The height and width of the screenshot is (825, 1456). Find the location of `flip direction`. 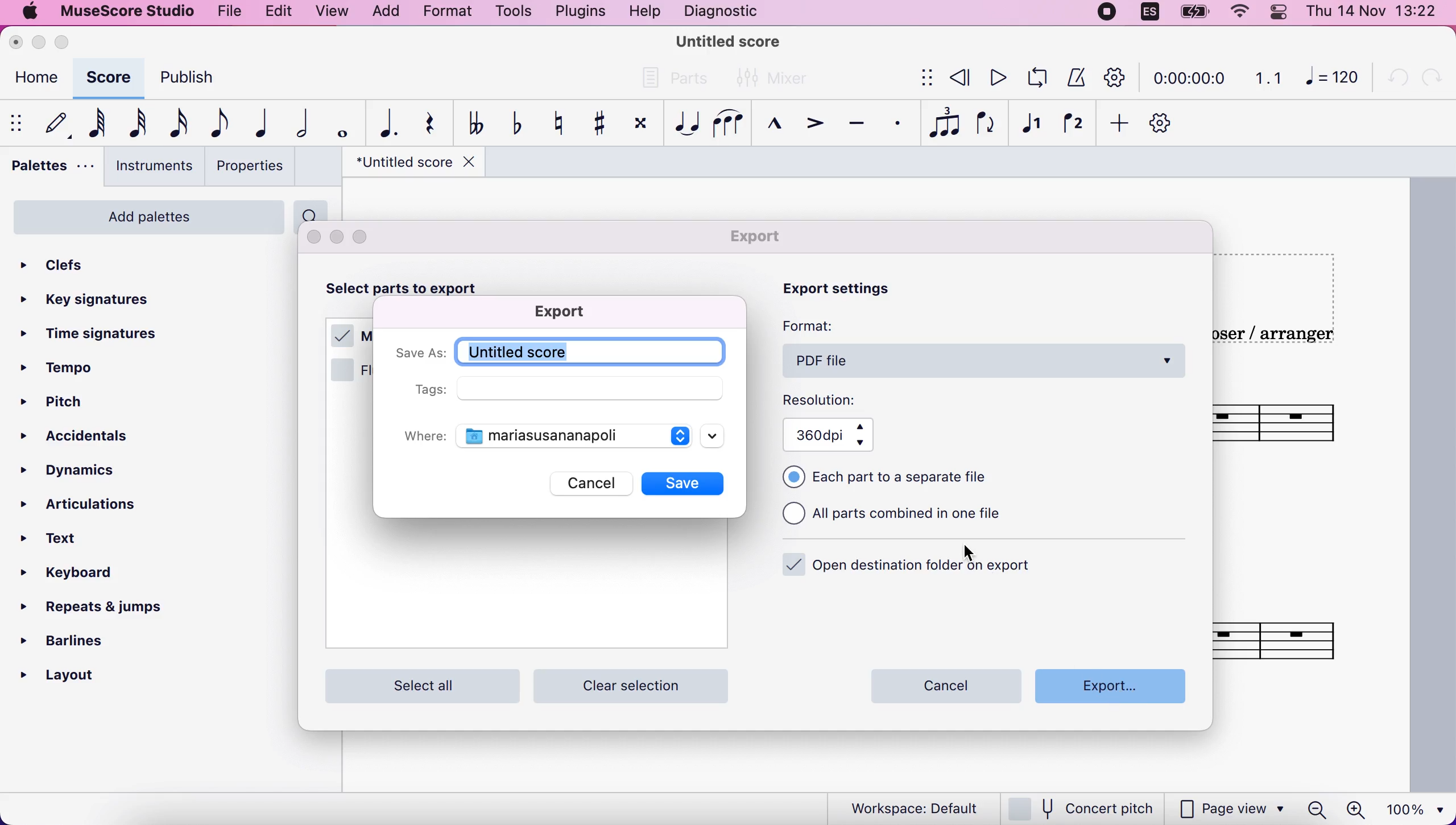

flip direction is located at coordinates (987, 122).